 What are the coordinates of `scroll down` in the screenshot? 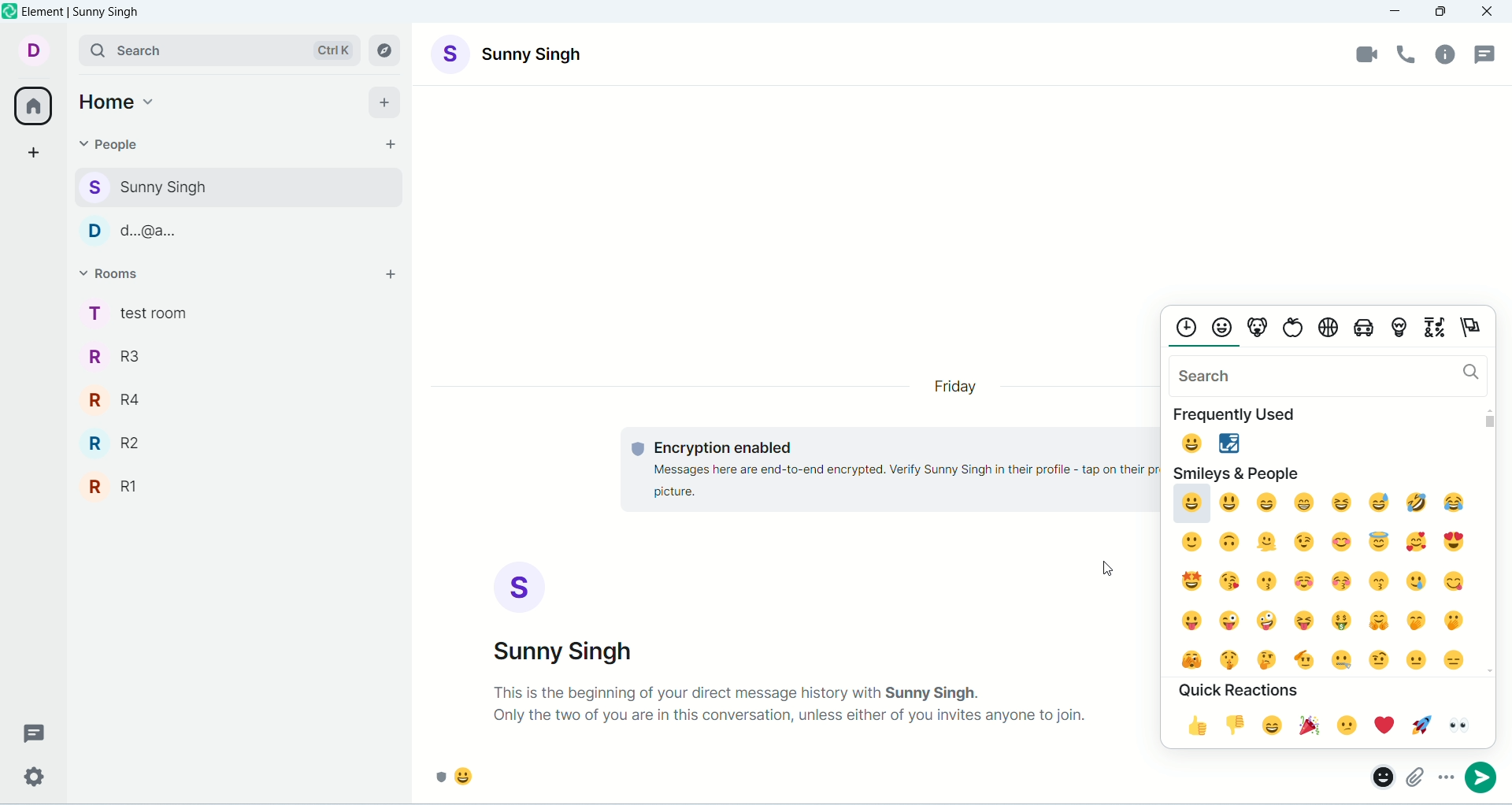 It's located at (1487, 664).